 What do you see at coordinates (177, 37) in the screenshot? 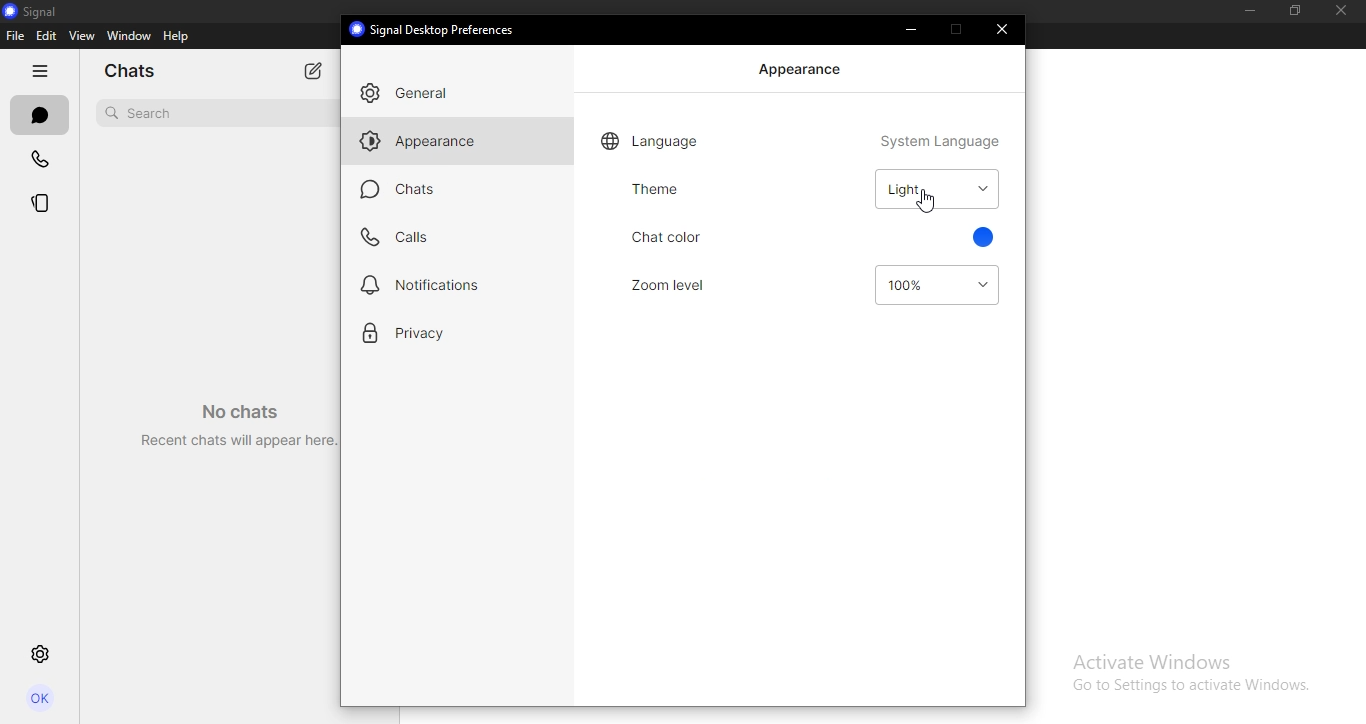
I see `help` at bounding box center [177, 37].